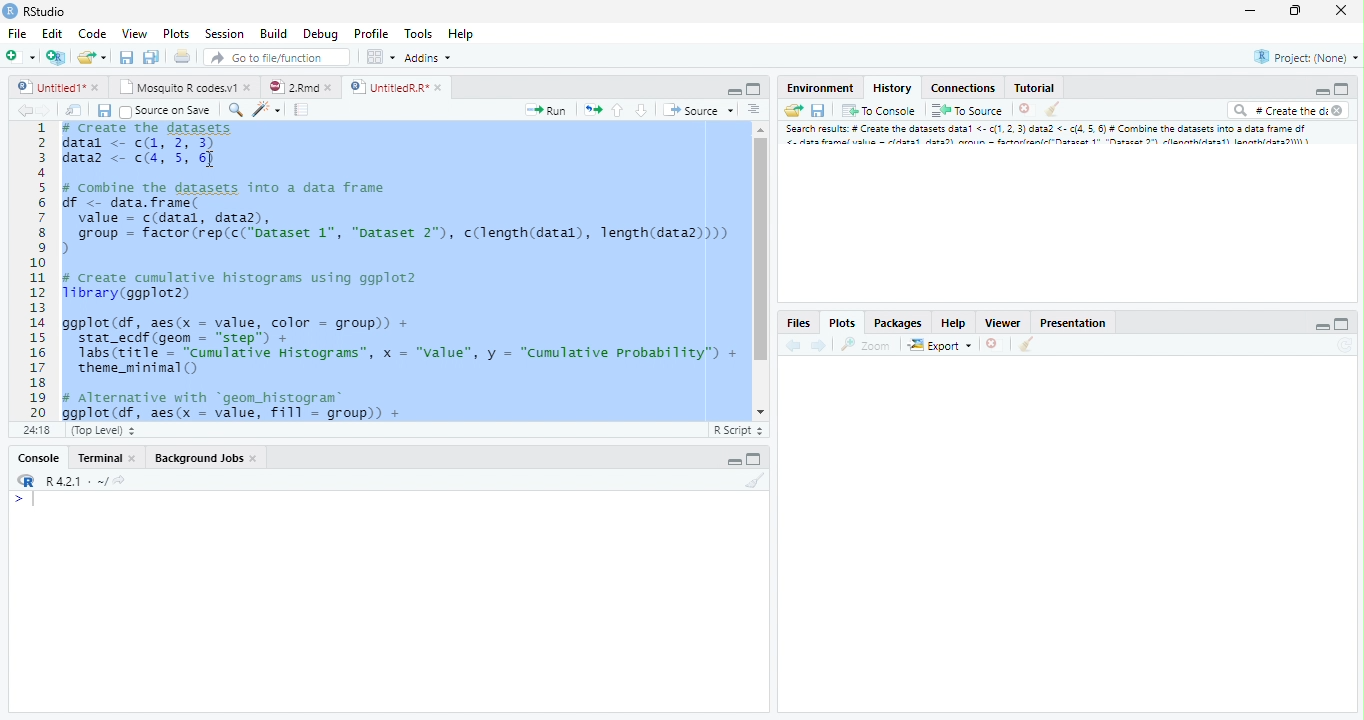 The image size is (1364, 720). I want to click on Clear console, so click(1055, 111).